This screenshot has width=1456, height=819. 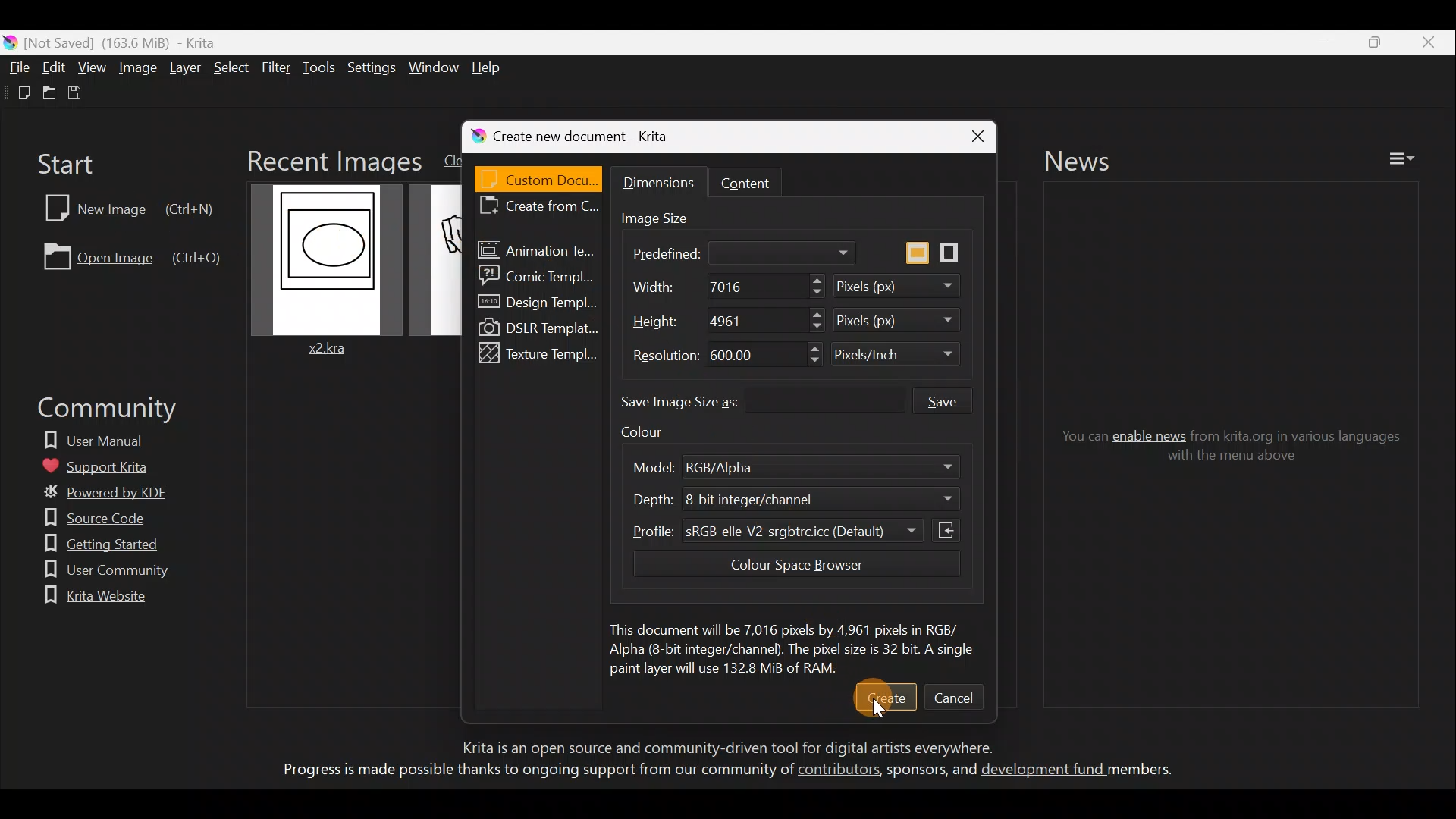 I want to click on 7016, so click(x=718, y=287).